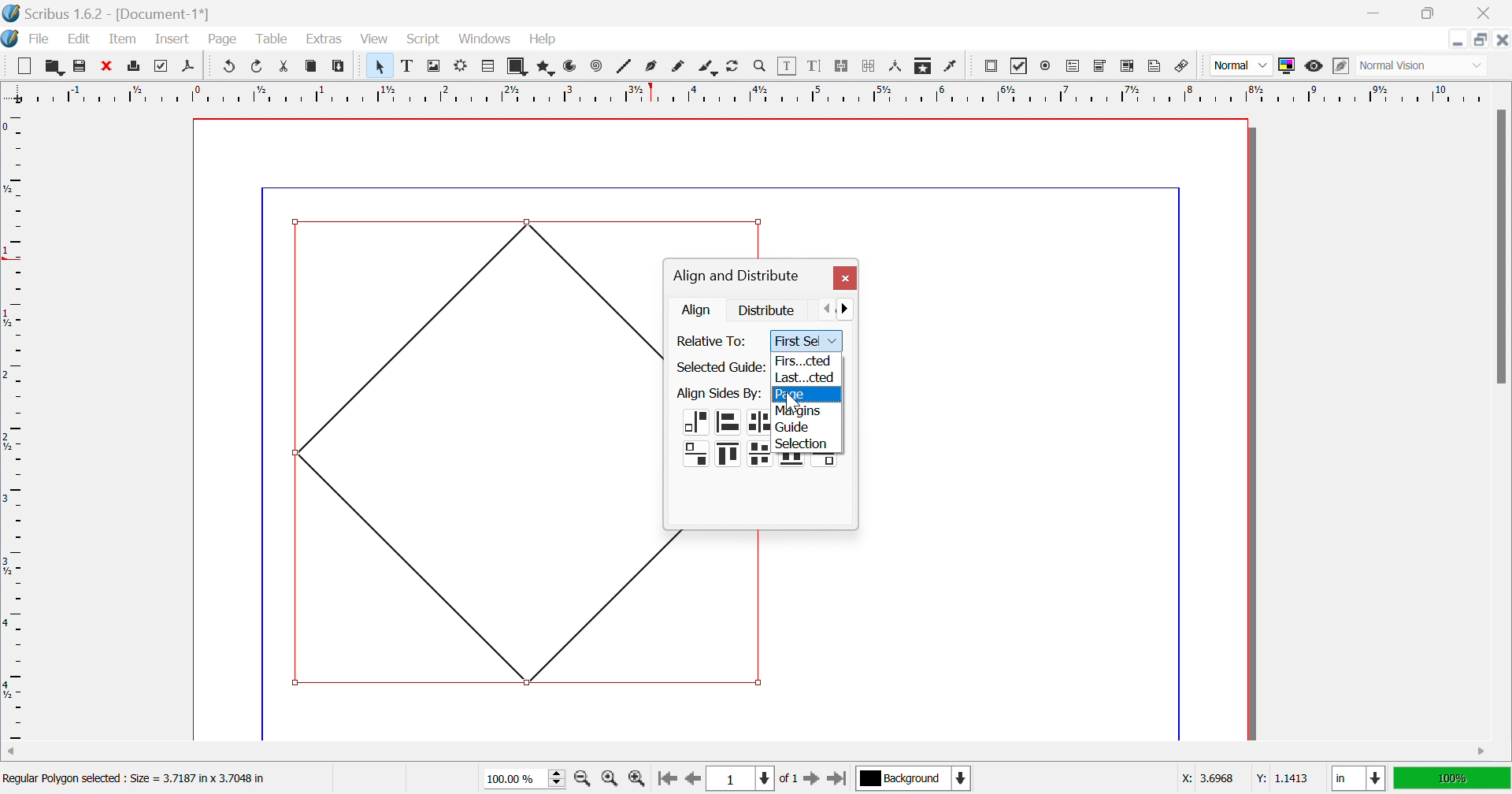 This screenshot has width=1512, height=794. What do you see at coordinates (691, 784) in the screenshot?
I see `Go to the previous page` at bounding box center [691, 784].